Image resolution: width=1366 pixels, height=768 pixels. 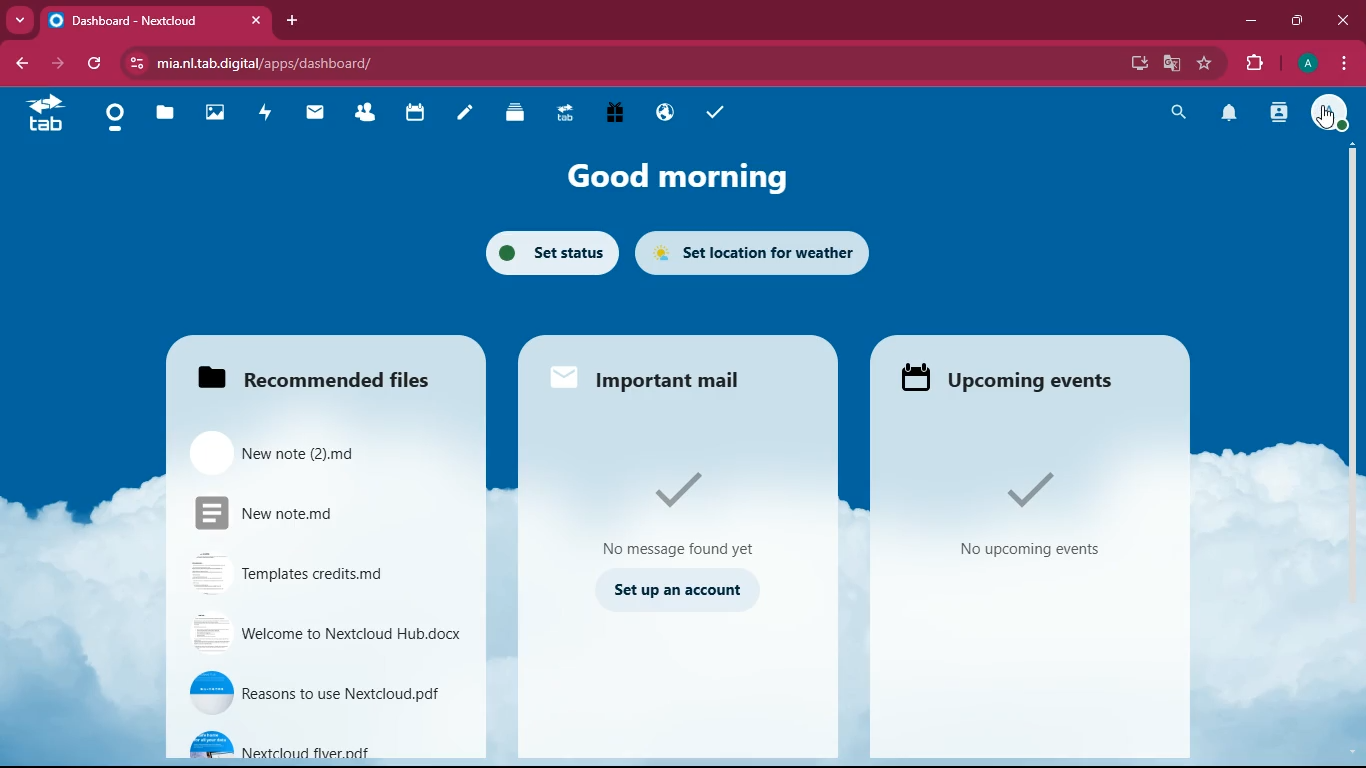 I want to click on Account, so click(x=1330, y=112).